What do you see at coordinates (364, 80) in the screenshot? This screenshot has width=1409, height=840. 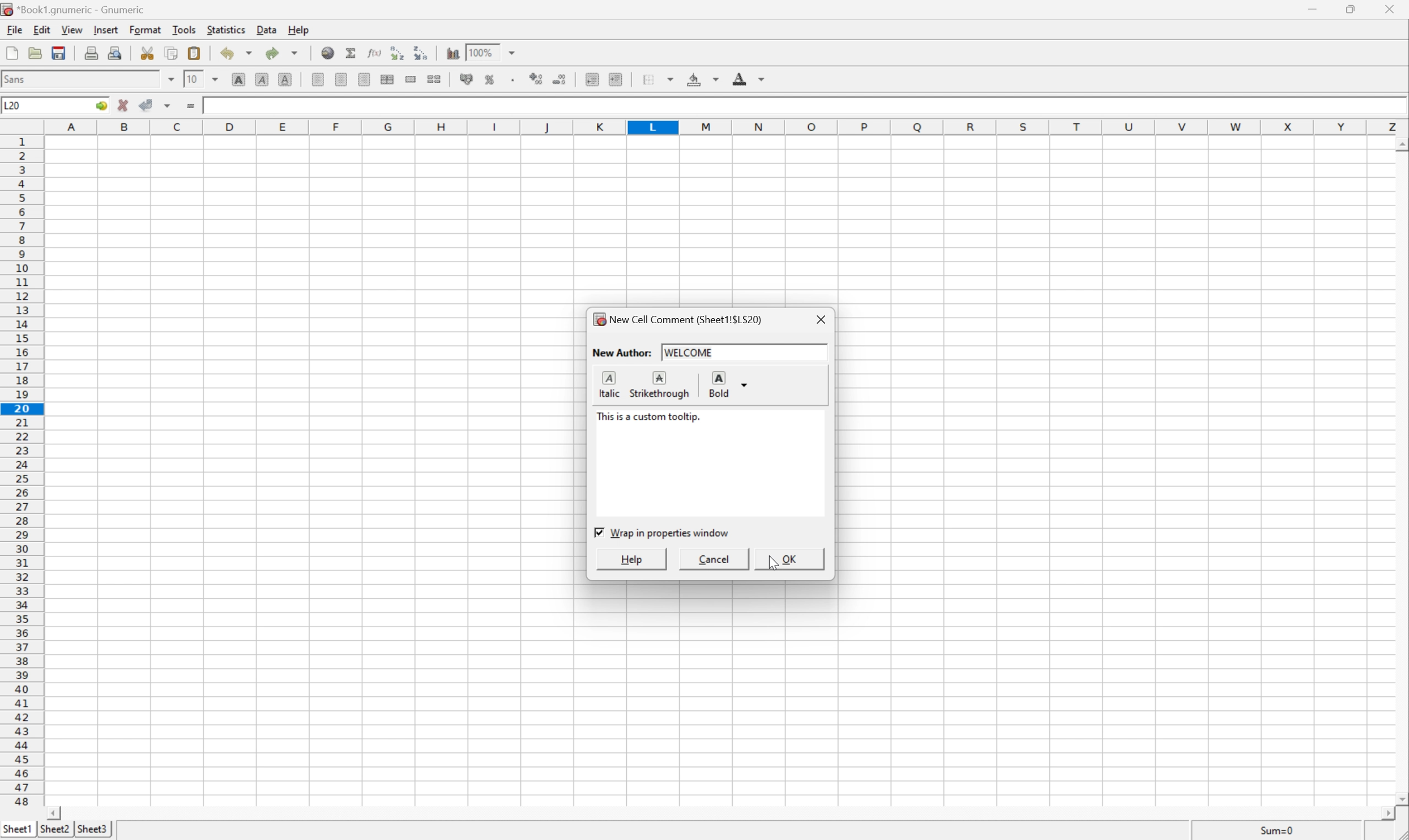 I see `Center Right` at bounding box center [364, 80].